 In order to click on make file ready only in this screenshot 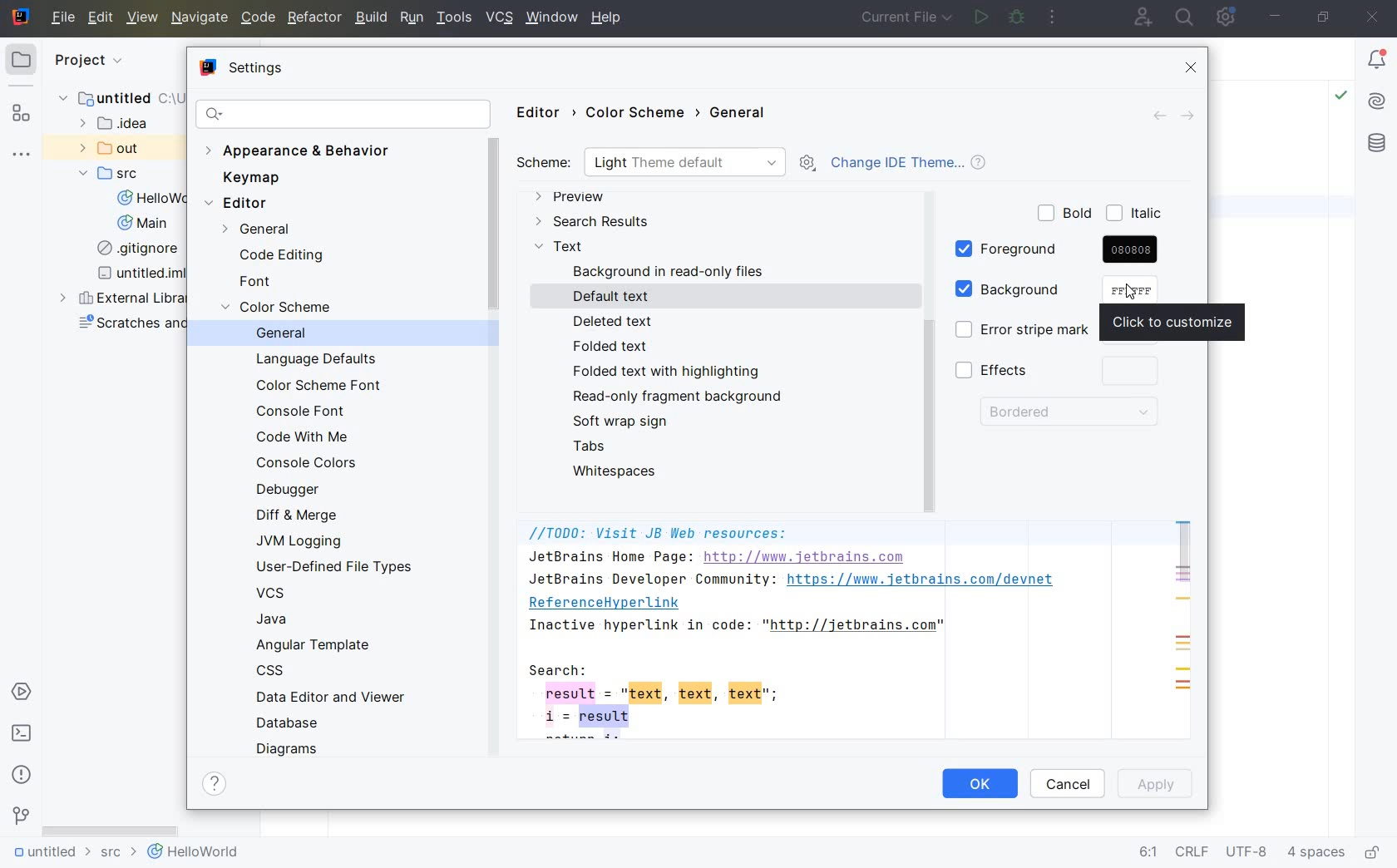, I will do `click(1375, 853)`.